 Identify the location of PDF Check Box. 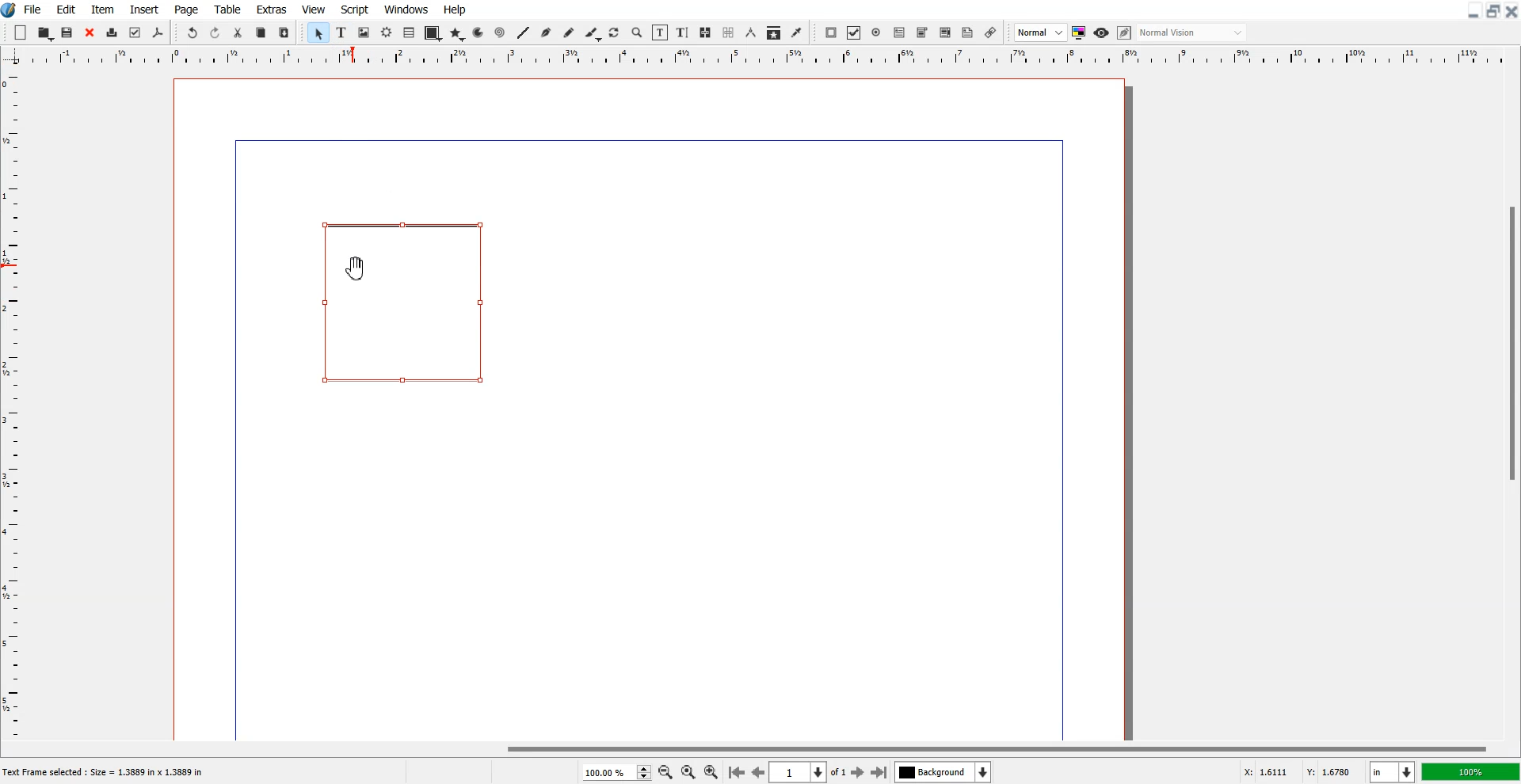
(854, 33).